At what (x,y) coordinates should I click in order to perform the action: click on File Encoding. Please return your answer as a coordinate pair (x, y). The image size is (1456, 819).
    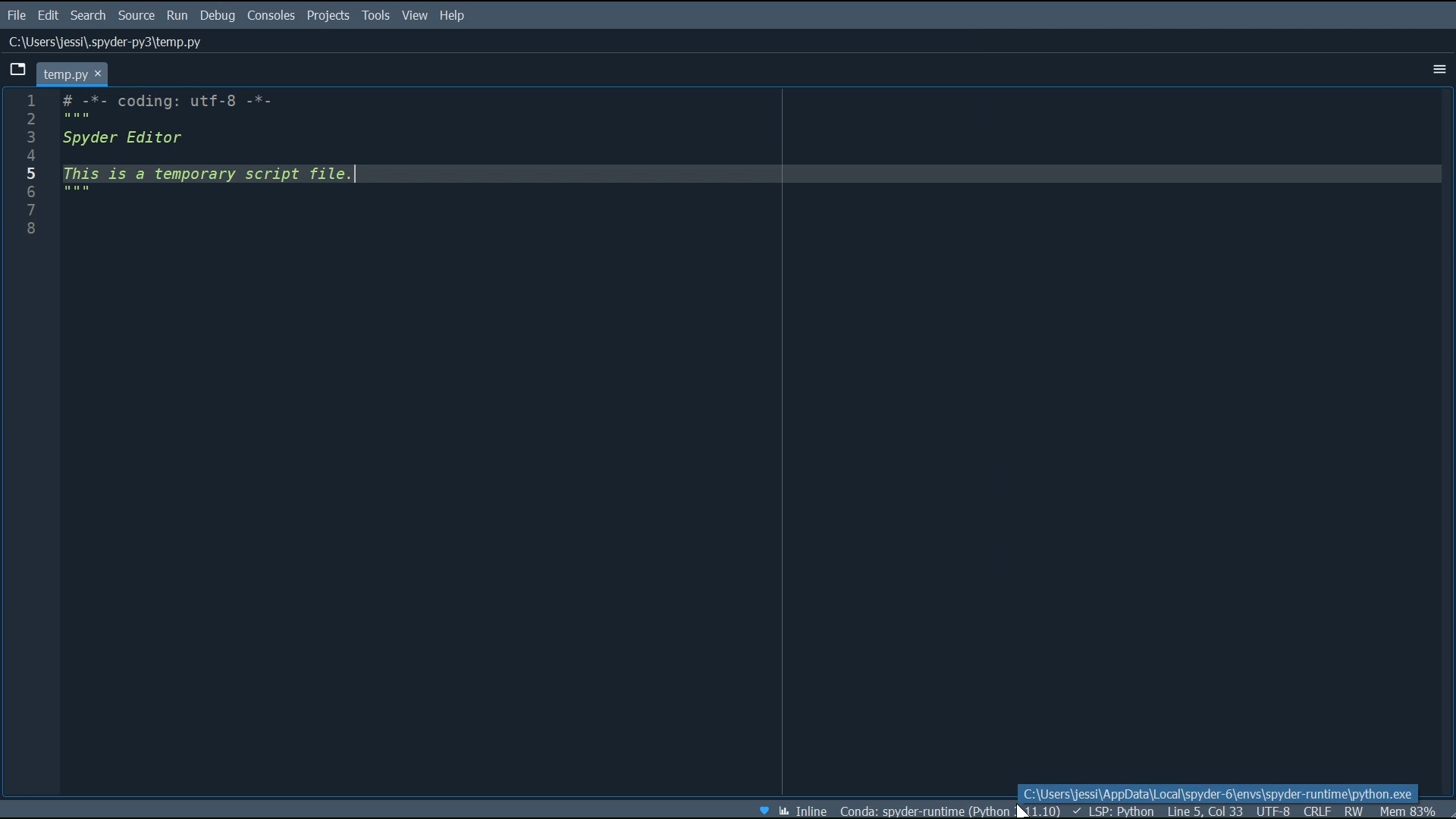
    Looking at the image, I should click on (1276, 810).